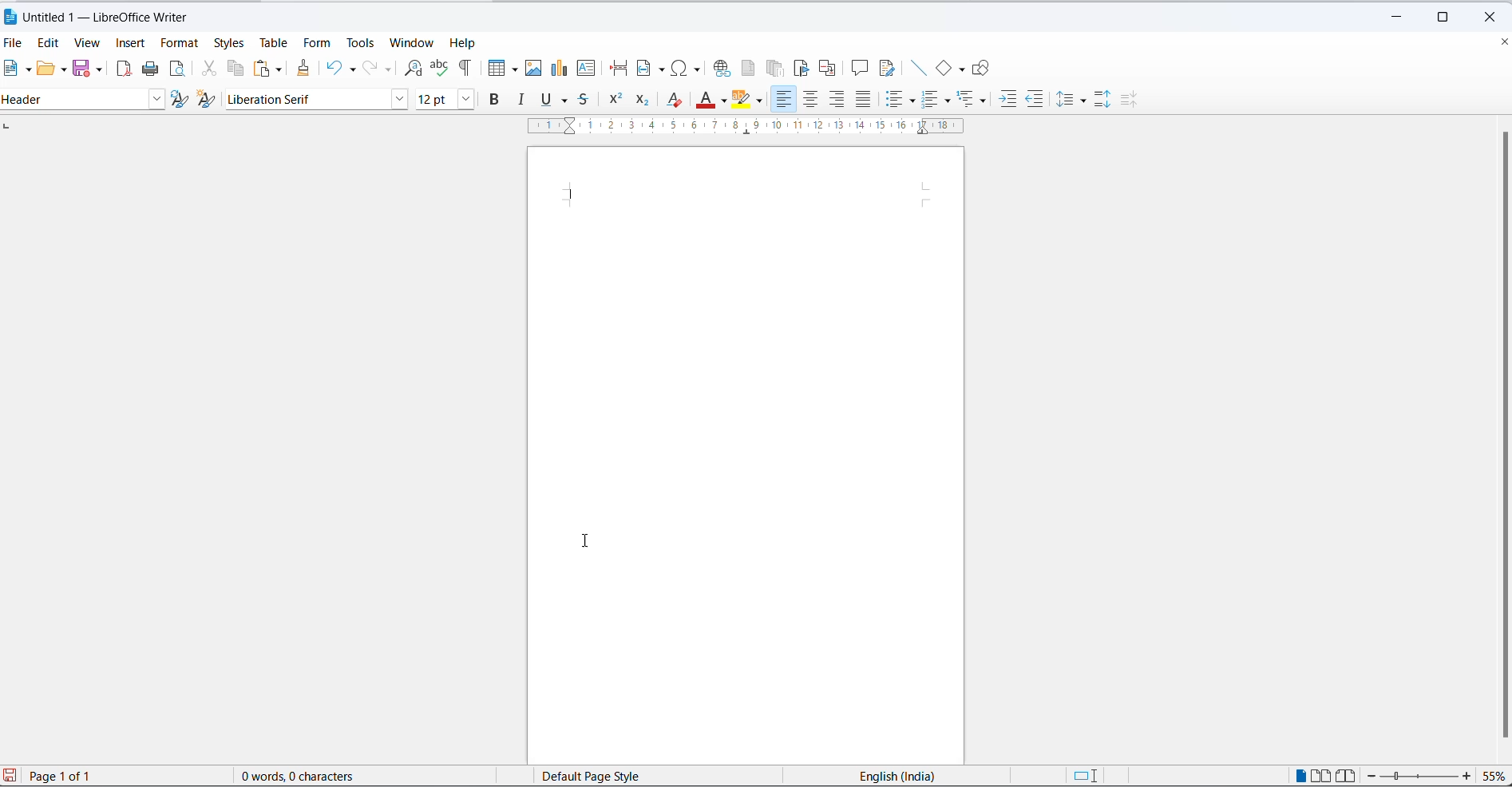 Image resolution: width=1512 pixels, height=787 pixels. I want to click on Show draw functions, so click(984, 69).